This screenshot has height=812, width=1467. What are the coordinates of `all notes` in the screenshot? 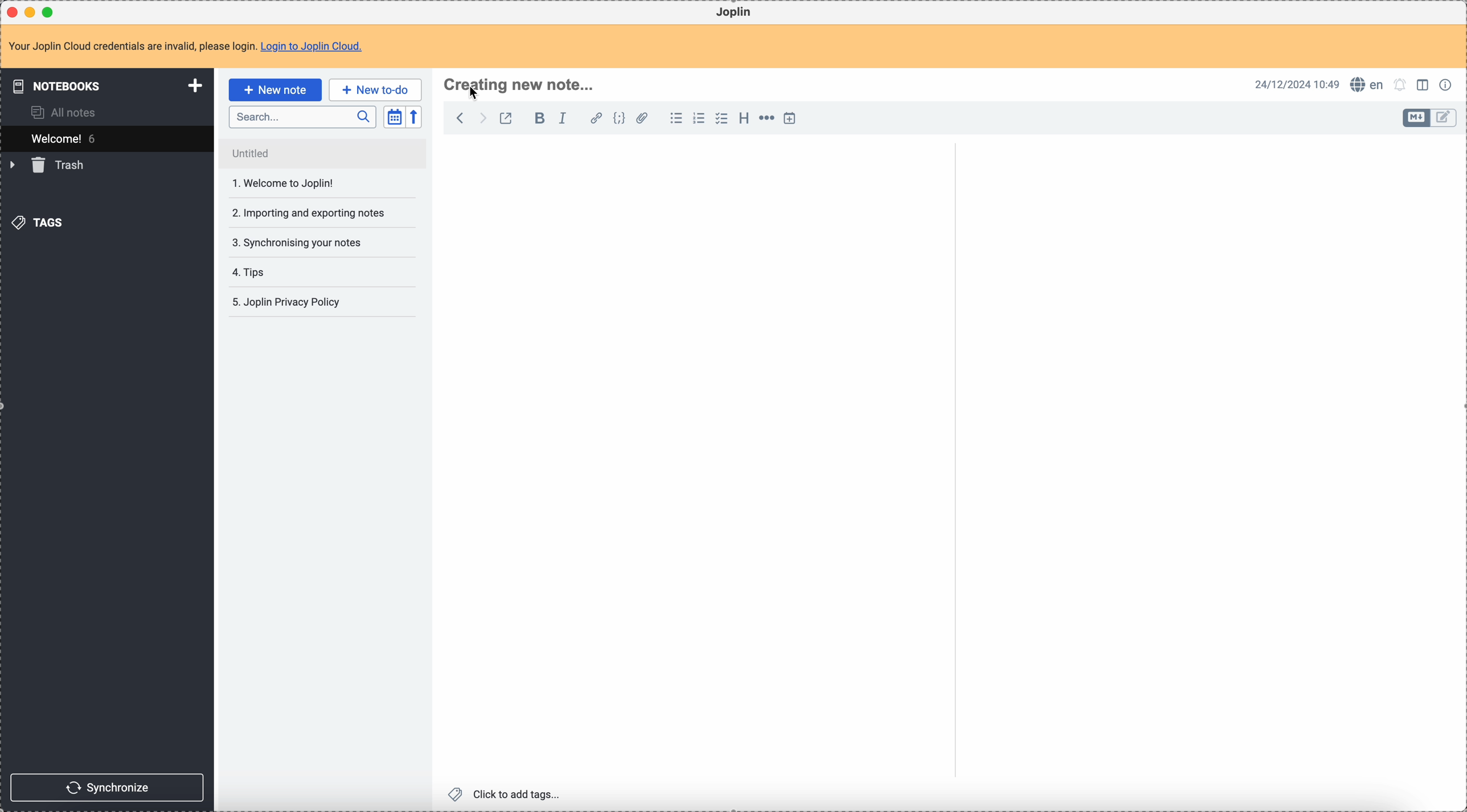 It's located at (65, 112).